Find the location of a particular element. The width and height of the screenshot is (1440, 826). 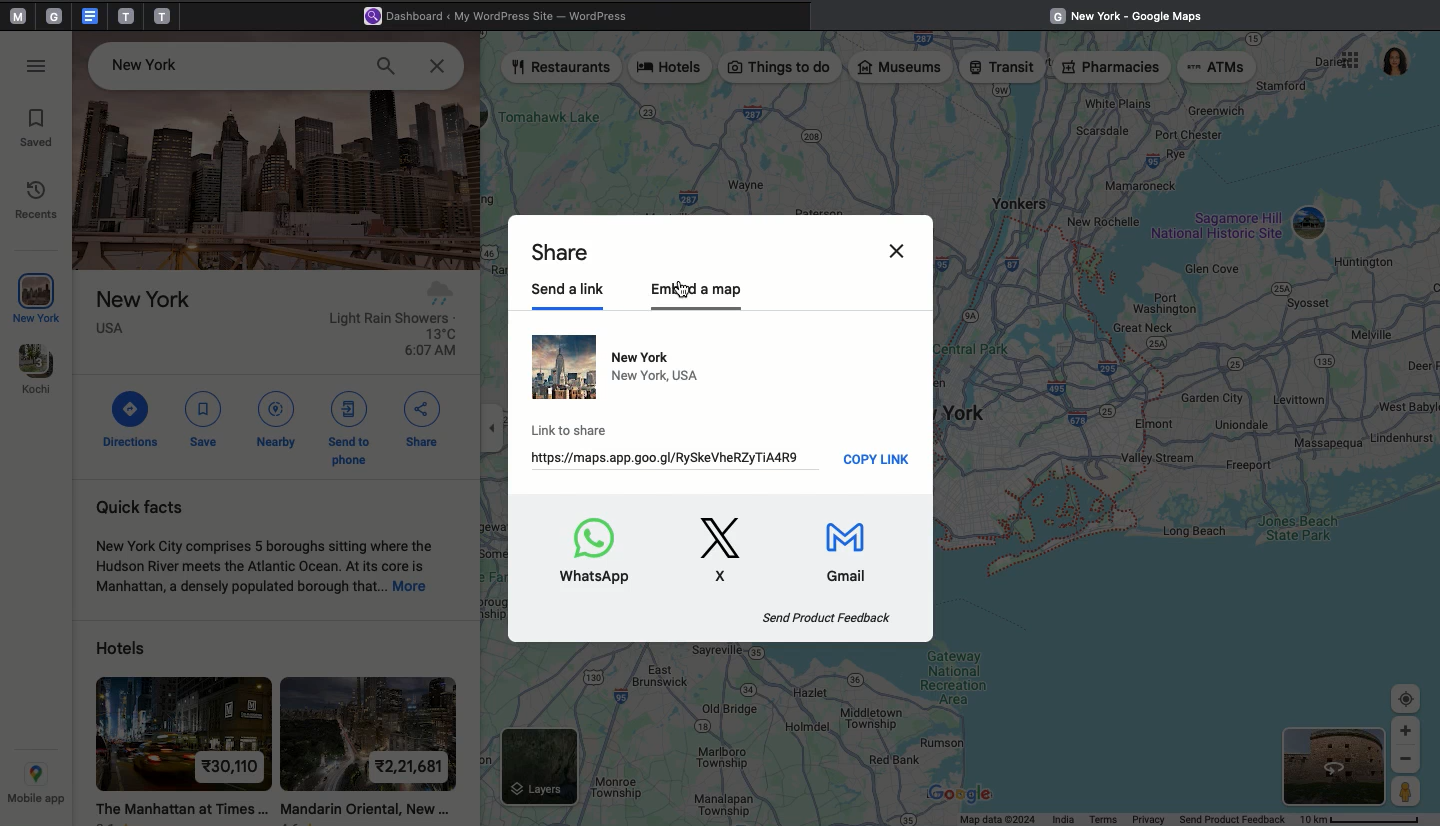

Cursor is located at coordinates (685, 290).